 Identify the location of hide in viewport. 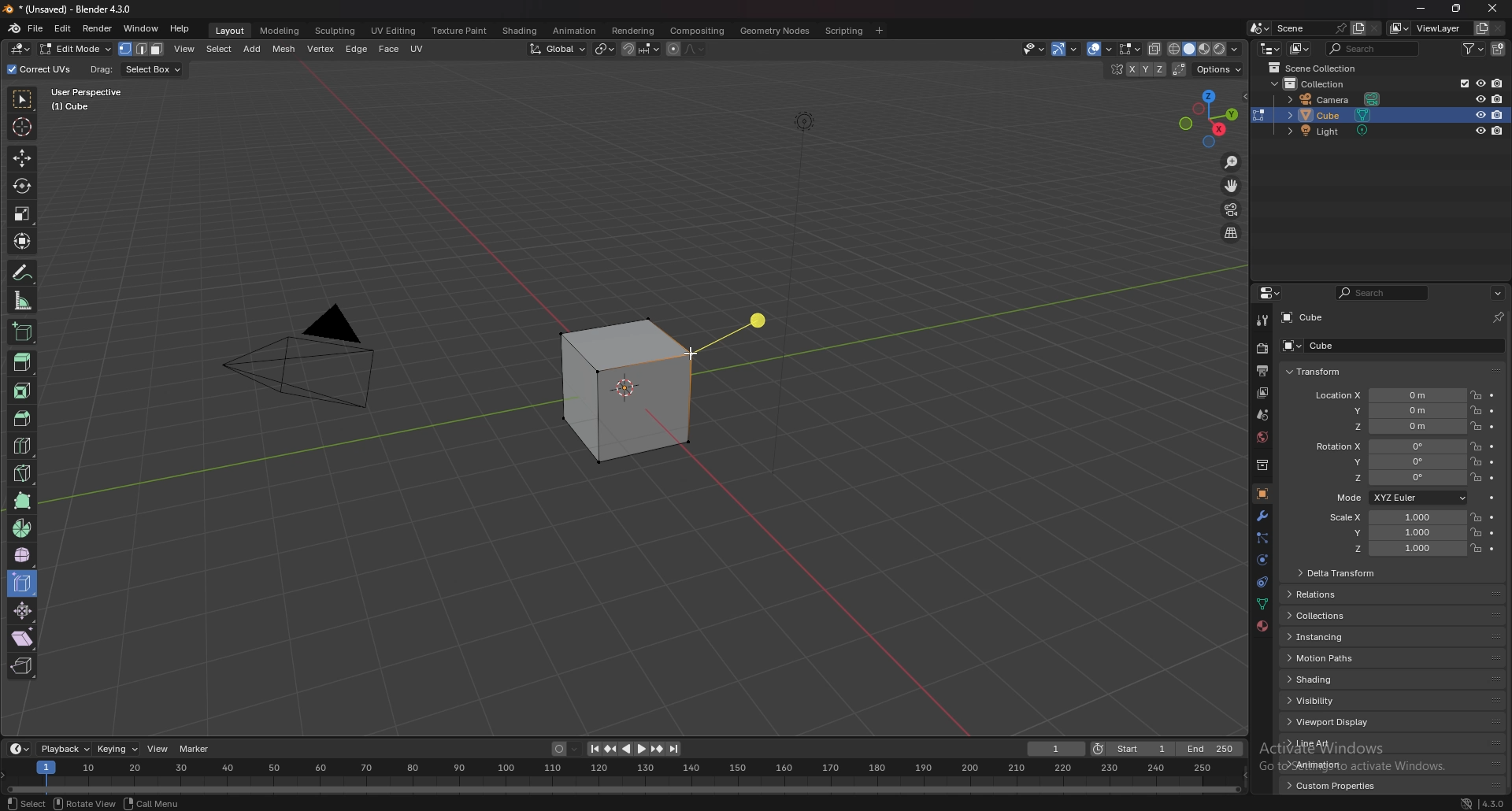
(1111, 87).